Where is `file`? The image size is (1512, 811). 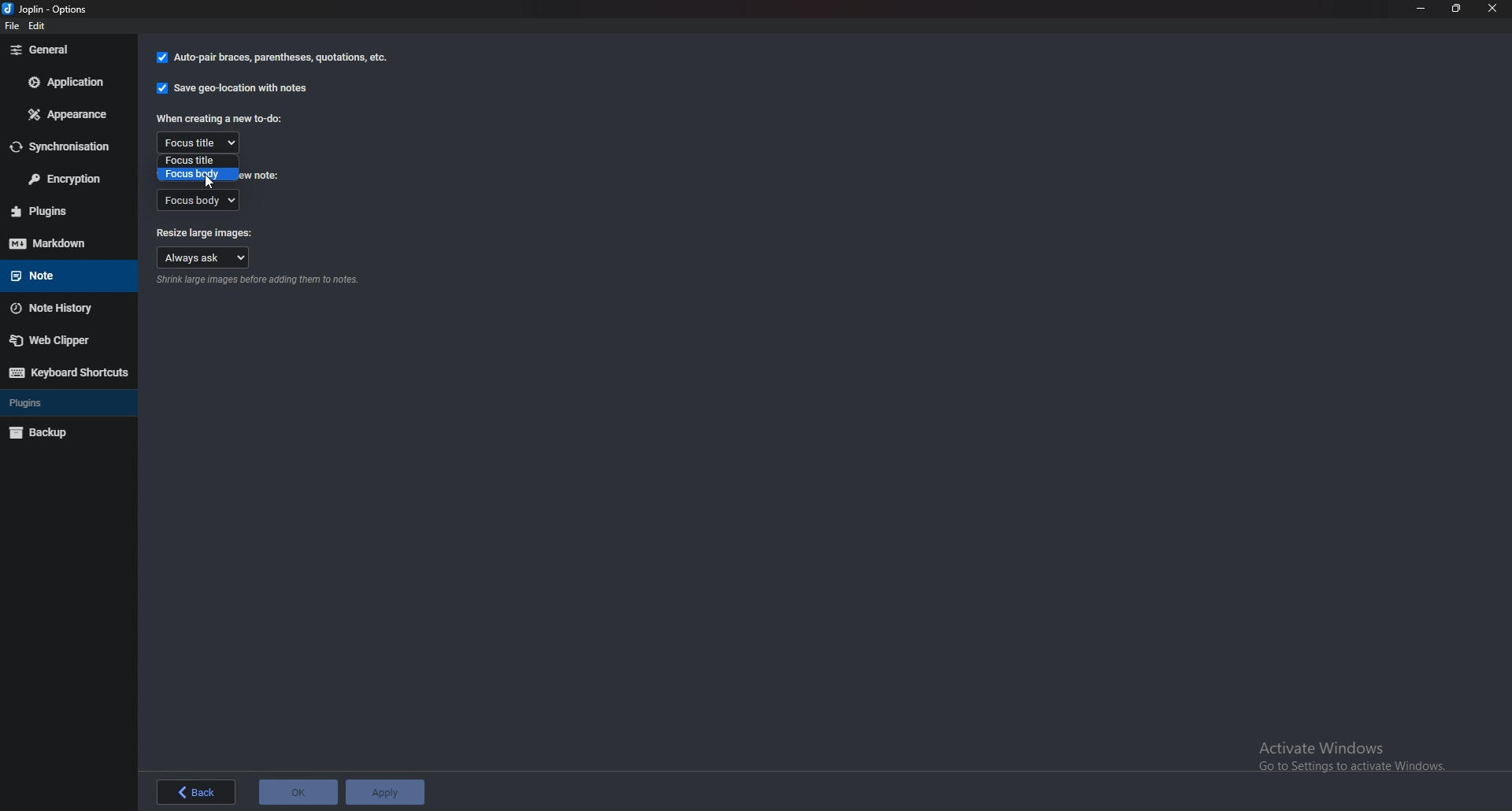 file is located at coordinates (11, 28).